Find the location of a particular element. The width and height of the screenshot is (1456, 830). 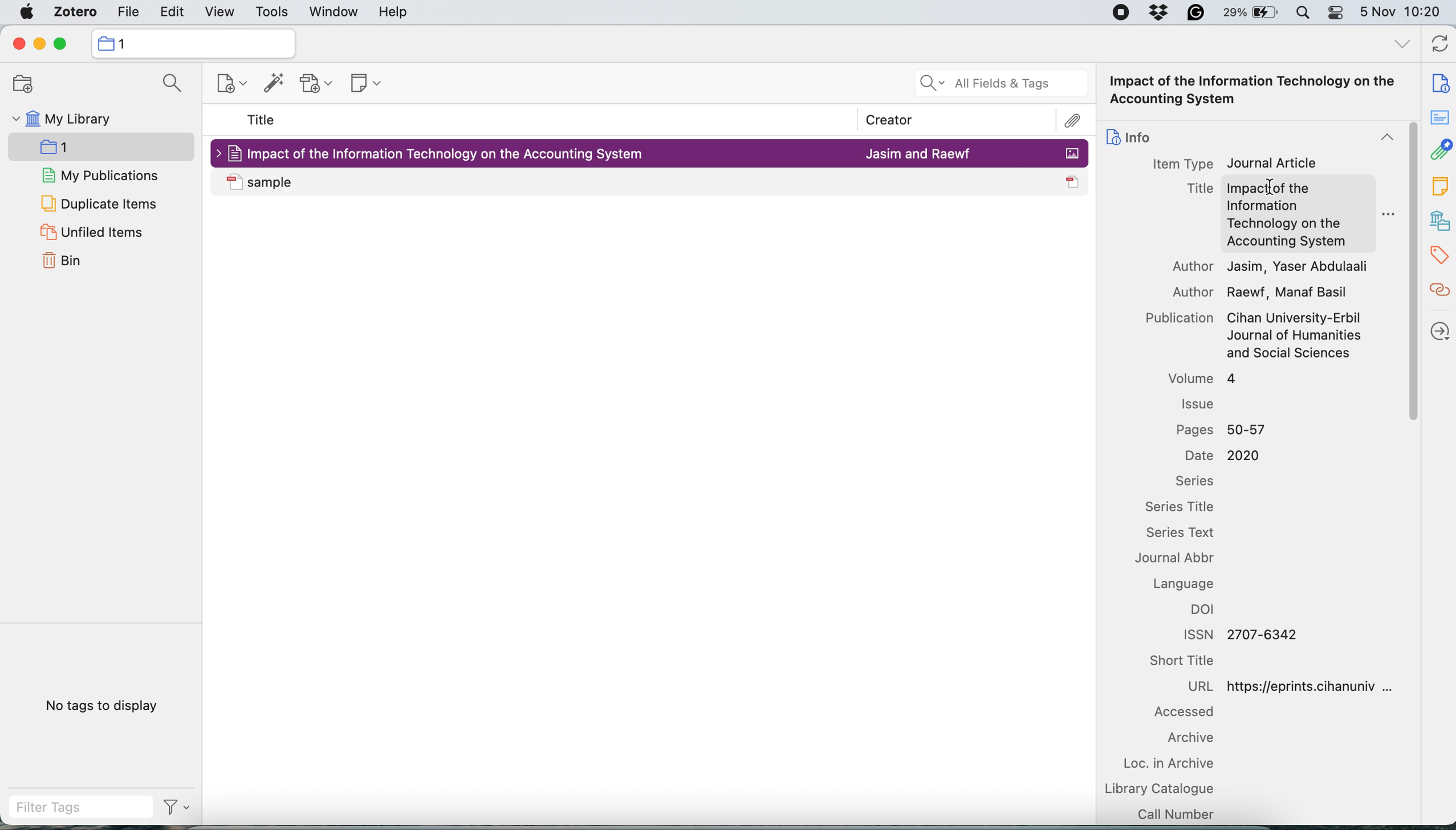

my library is located at coordinates (63, 117).